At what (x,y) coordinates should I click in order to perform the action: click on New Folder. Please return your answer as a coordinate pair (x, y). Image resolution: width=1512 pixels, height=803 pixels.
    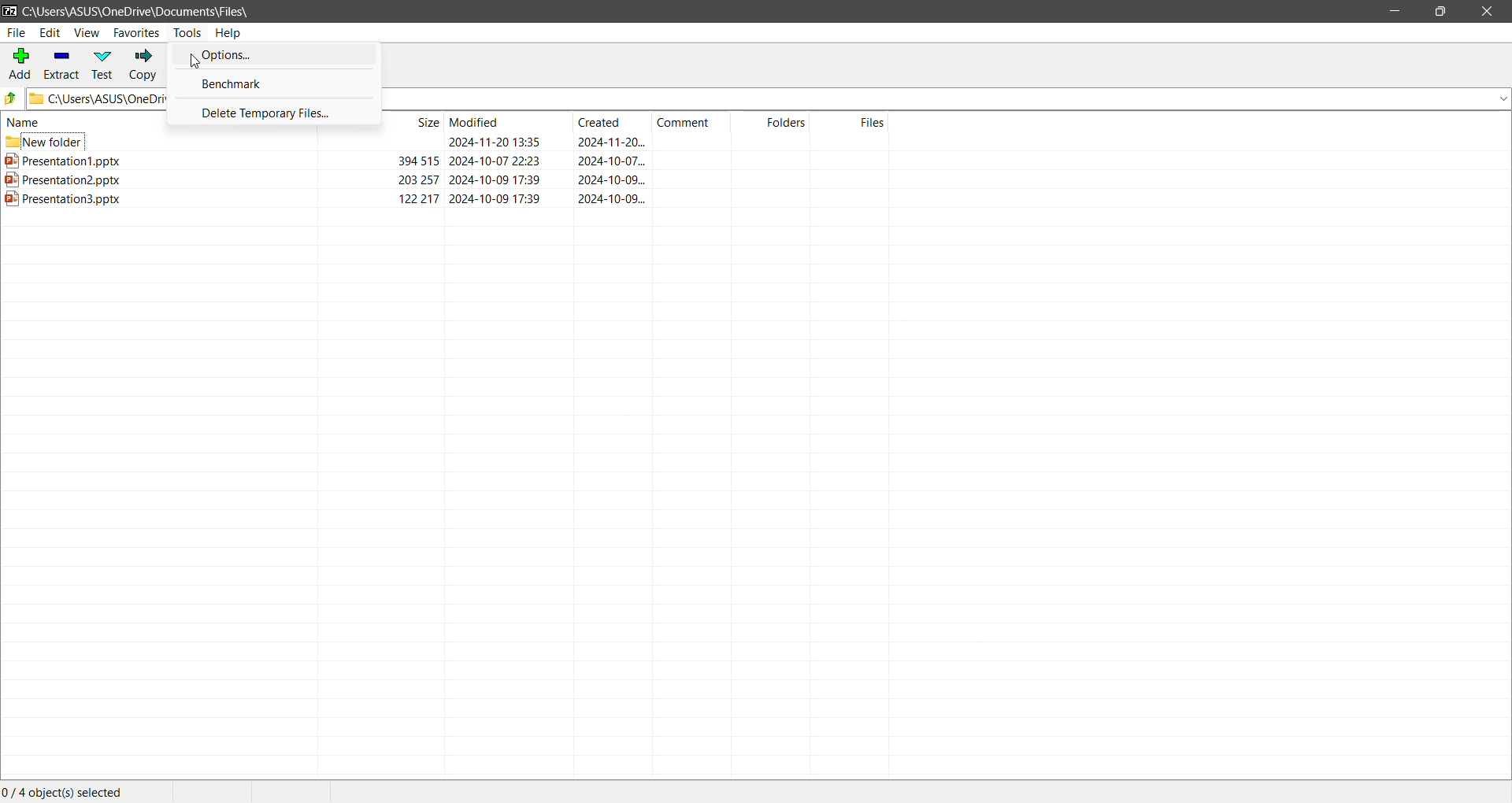
    Looking at the image, I should click on (449, 140).